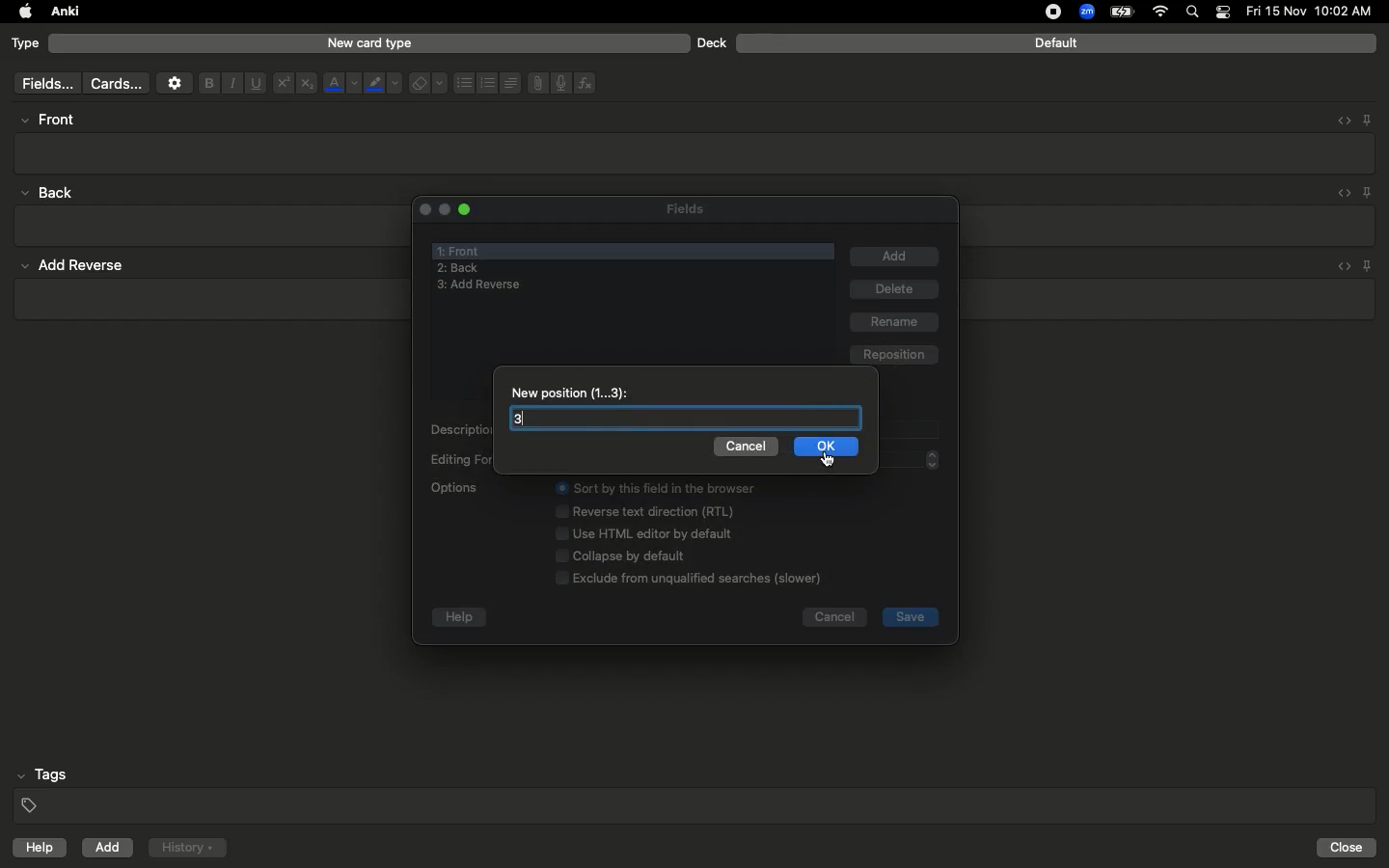  I want to click on Pin, so click(1369, 192).